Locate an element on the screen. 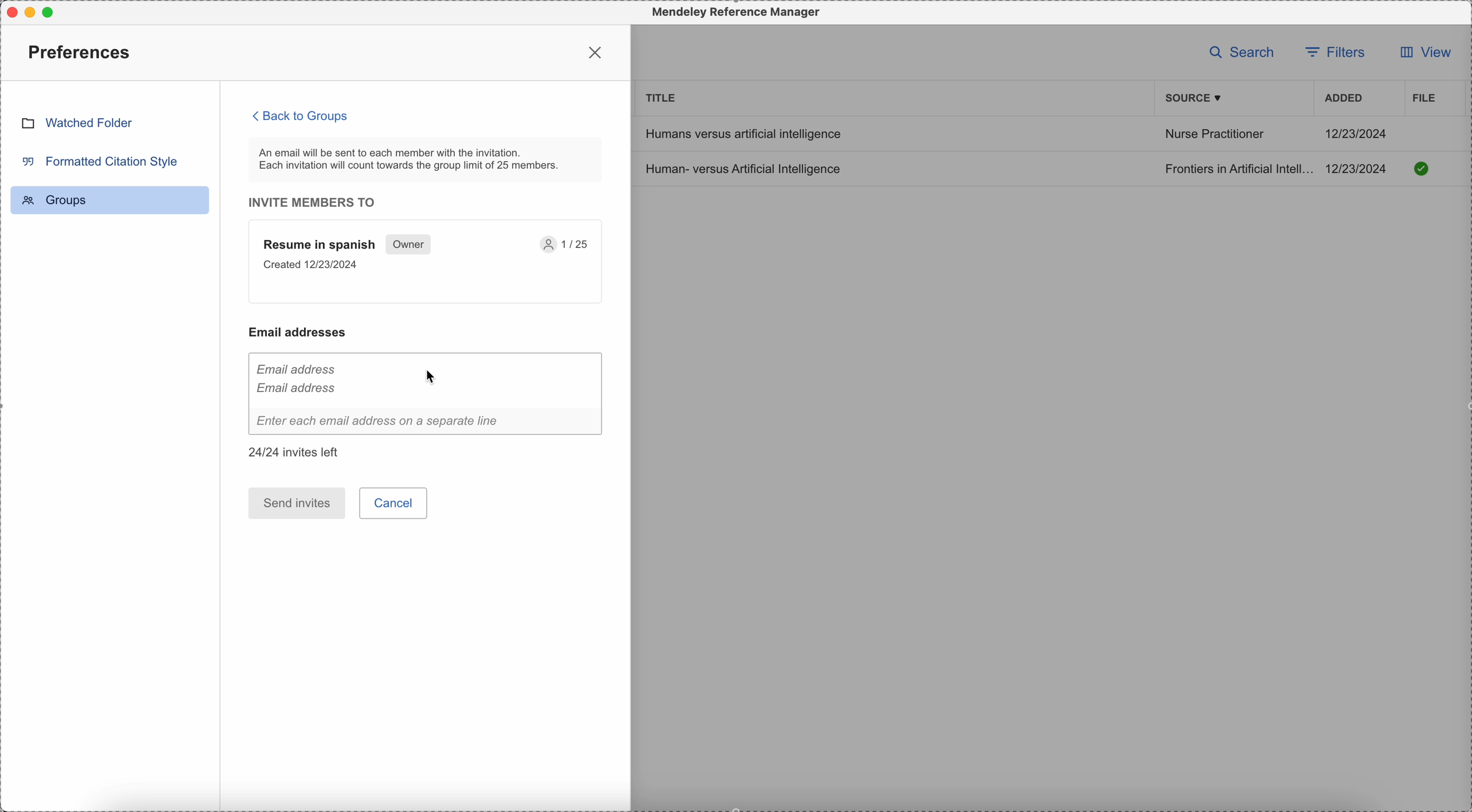  preferences is located at coordinates (82, 51).